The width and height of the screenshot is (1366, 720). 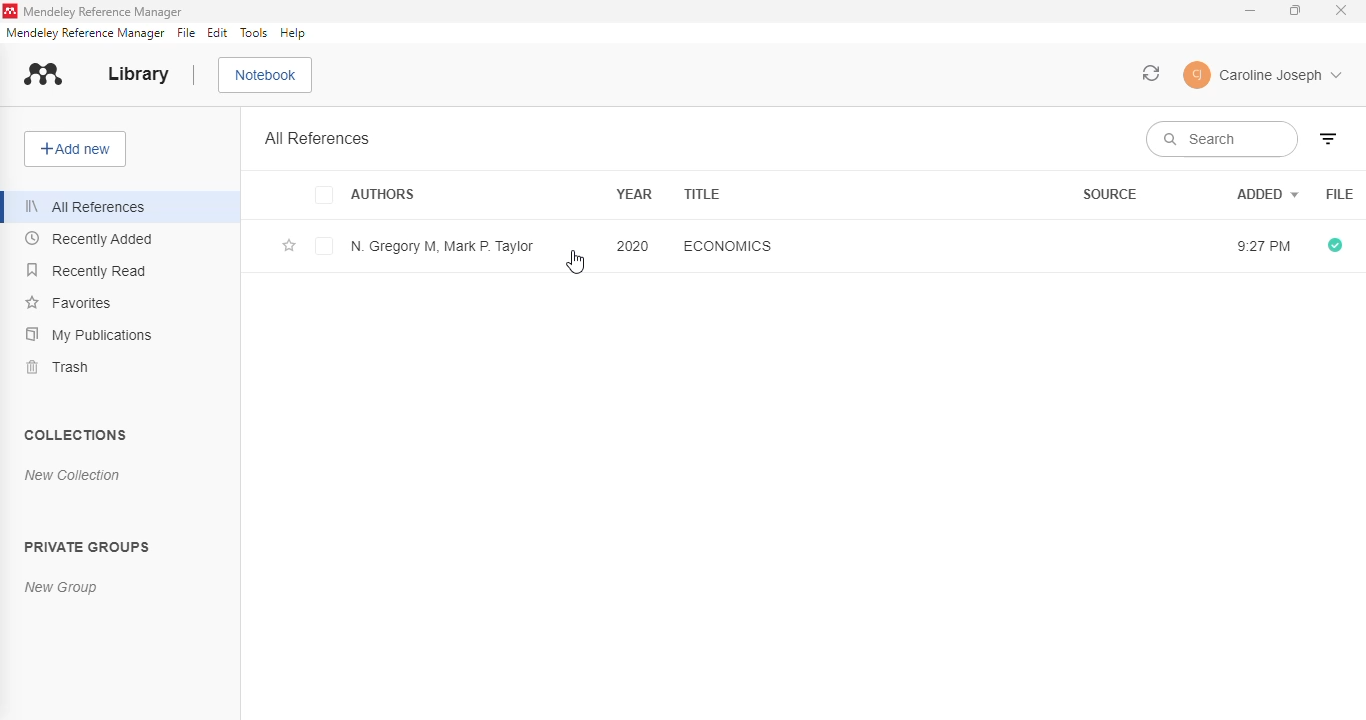 What do you see at coordinates (1151, 74) in the screenshot?
I see `sync` at bounding box center [1151, 74].